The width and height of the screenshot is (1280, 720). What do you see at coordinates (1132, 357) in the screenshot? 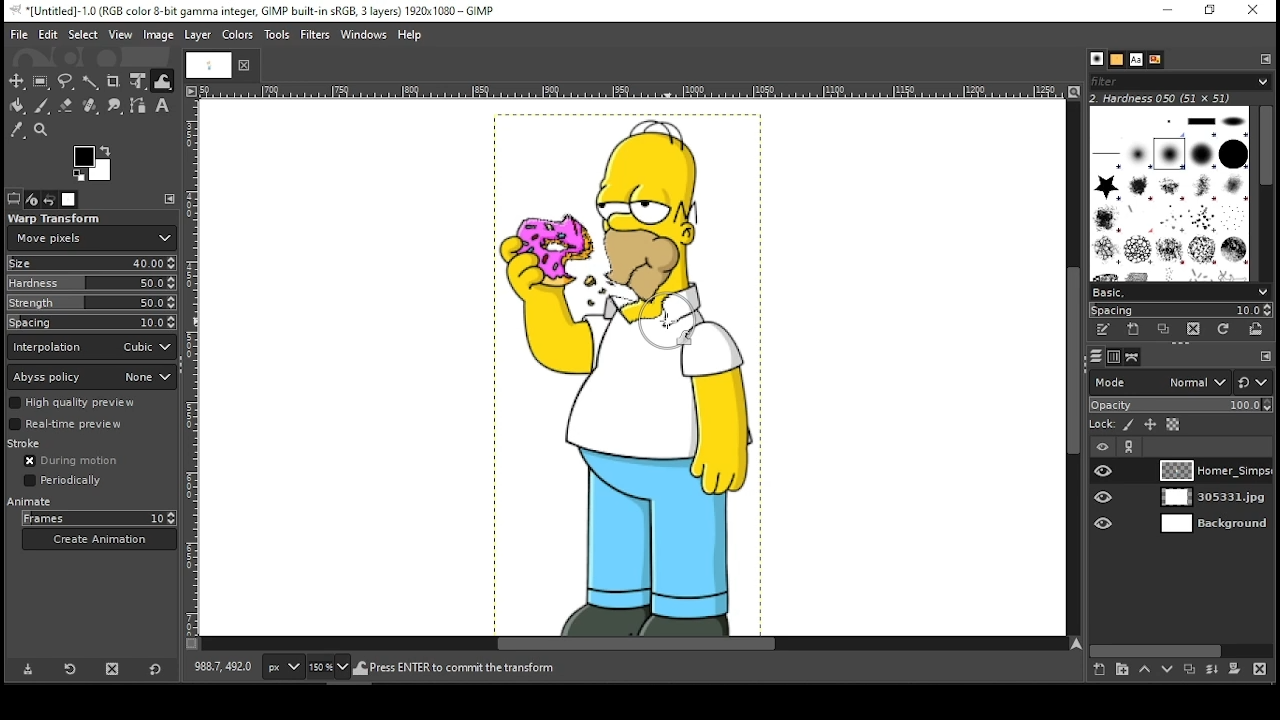
I see `paths` at bounding box center [1132, 357].